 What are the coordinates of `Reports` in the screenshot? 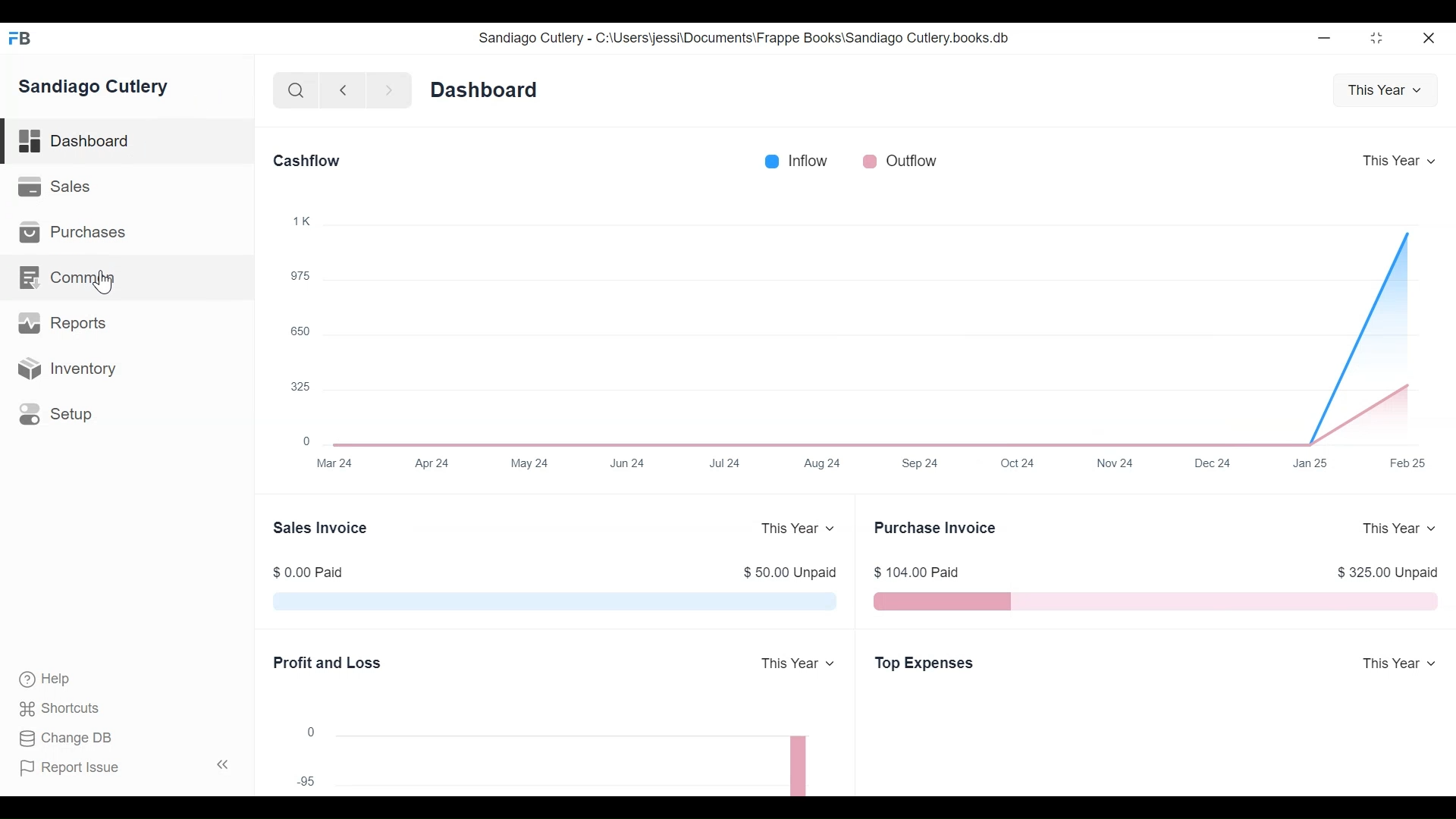 It's located at (61, 322).